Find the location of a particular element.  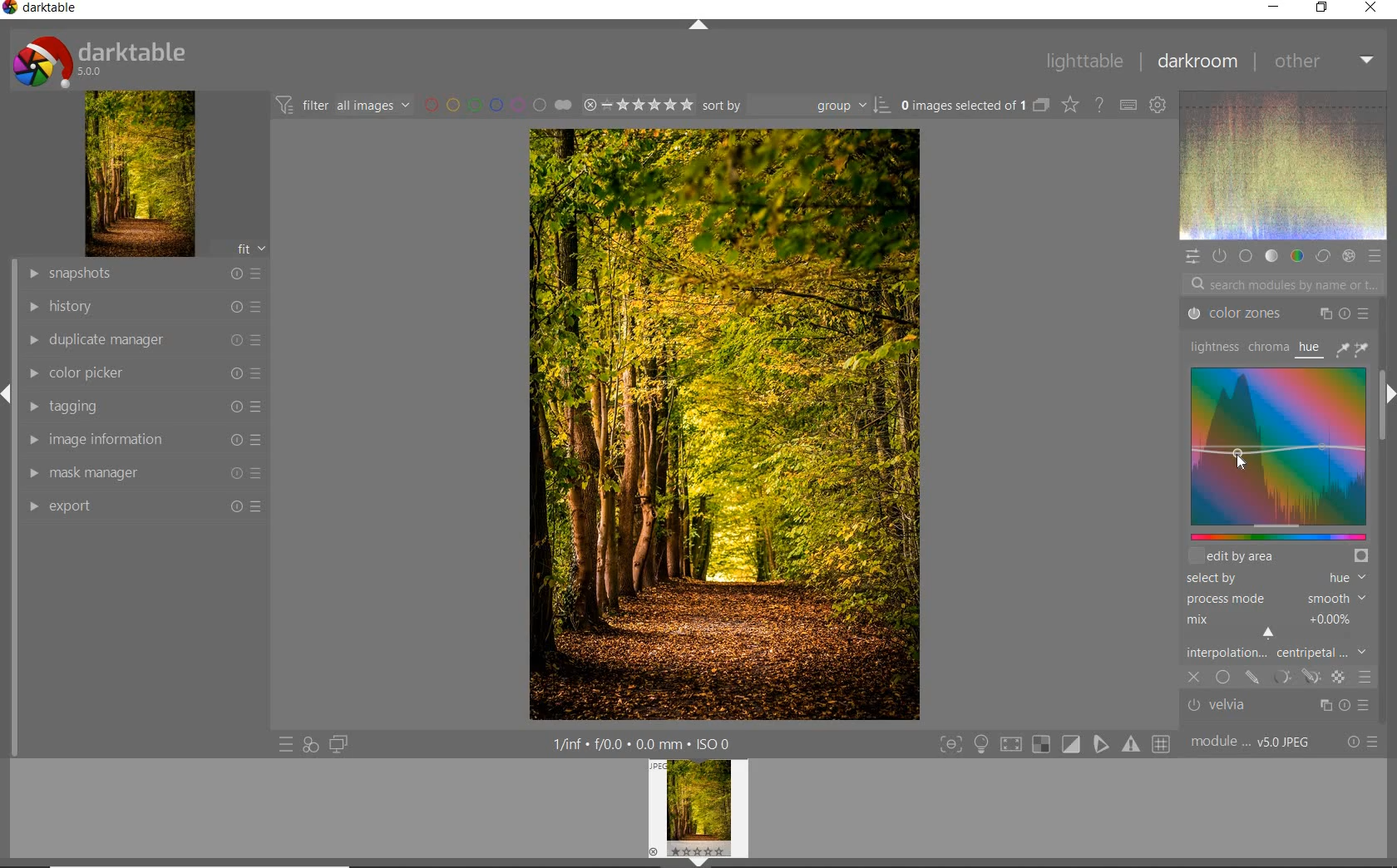

lightness is located at coordinates (1212, 348).